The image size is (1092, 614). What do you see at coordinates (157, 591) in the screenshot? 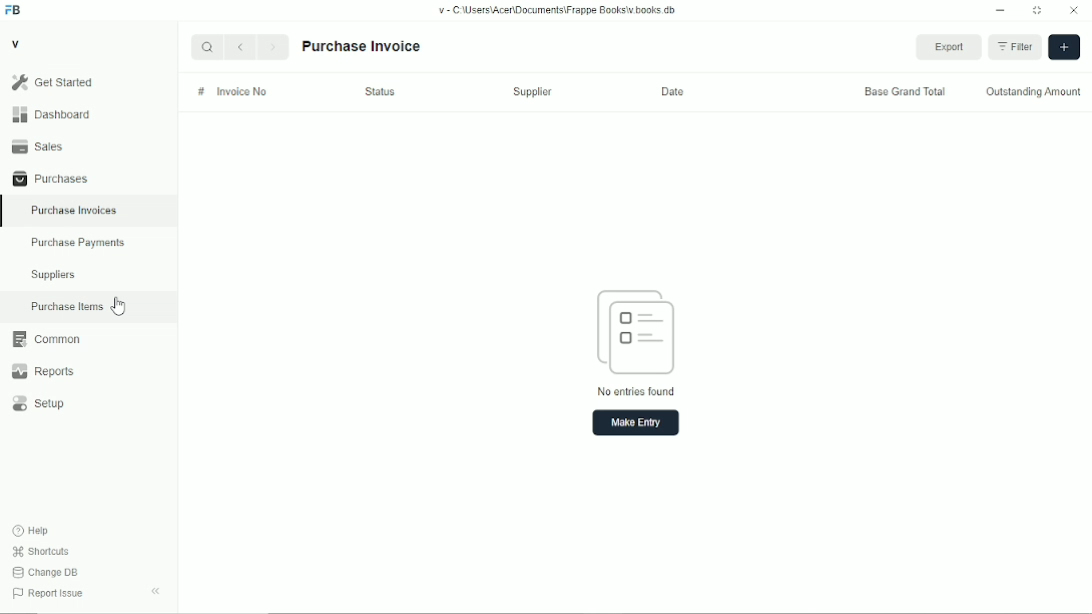
I see `toggle sidebar` at bounding box center [157, 591].